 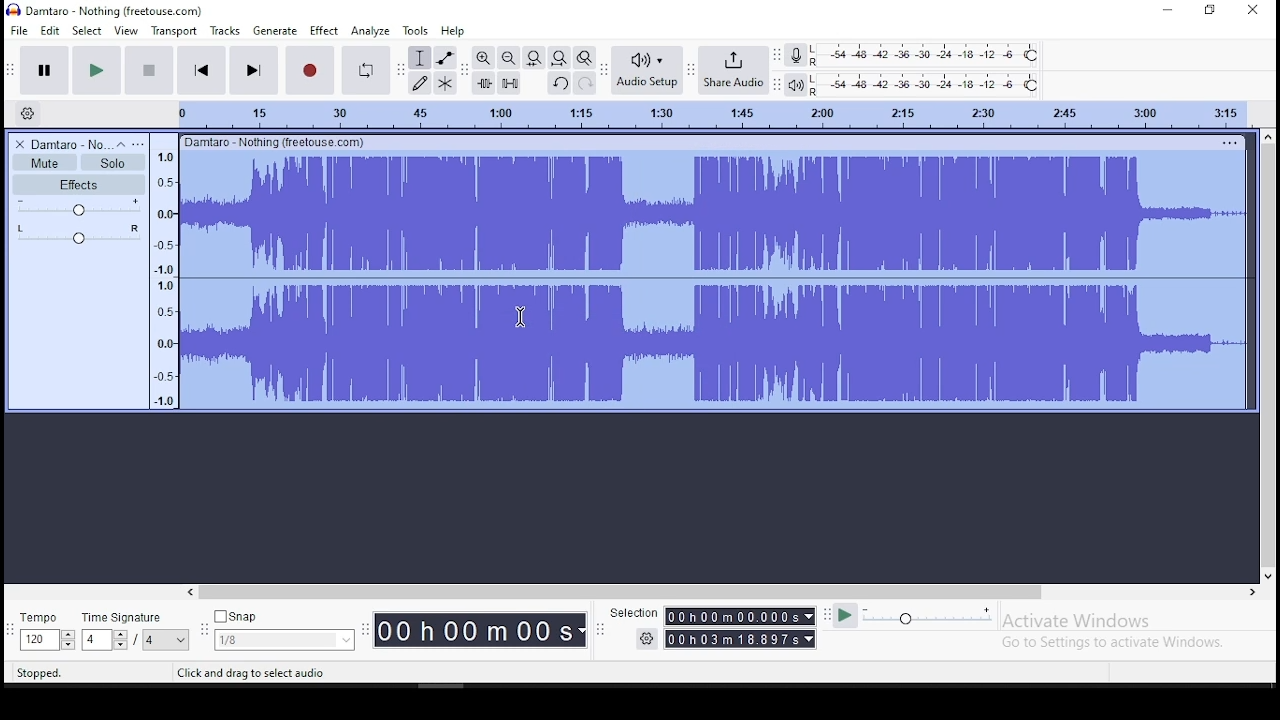 I want to click on scroll down, so click(x=1269, y=576).